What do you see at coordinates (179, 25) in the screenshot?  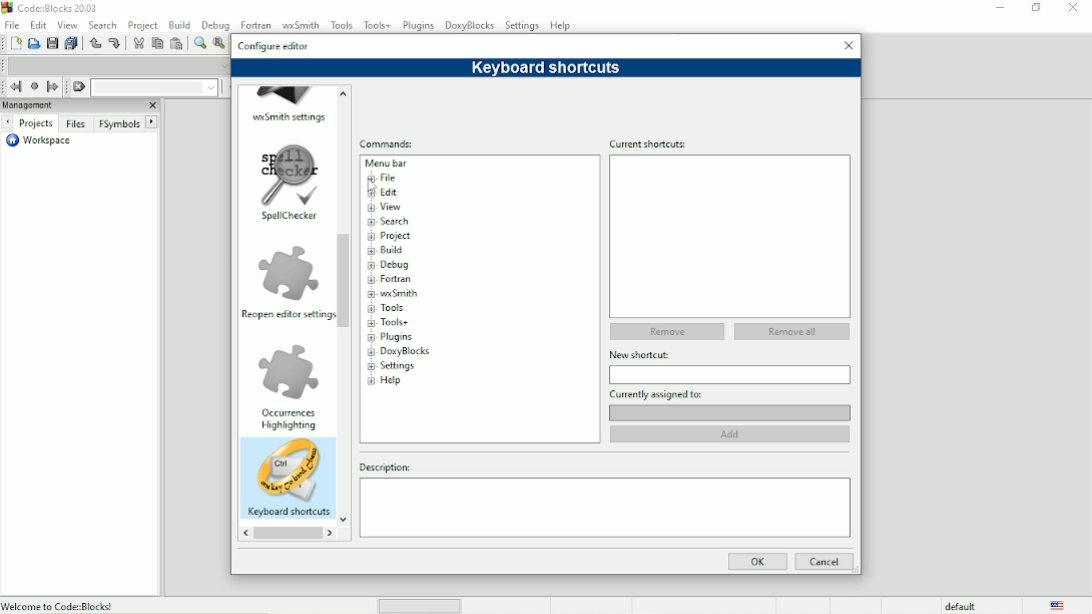 I see `Build` at bounding box center [179, 25].